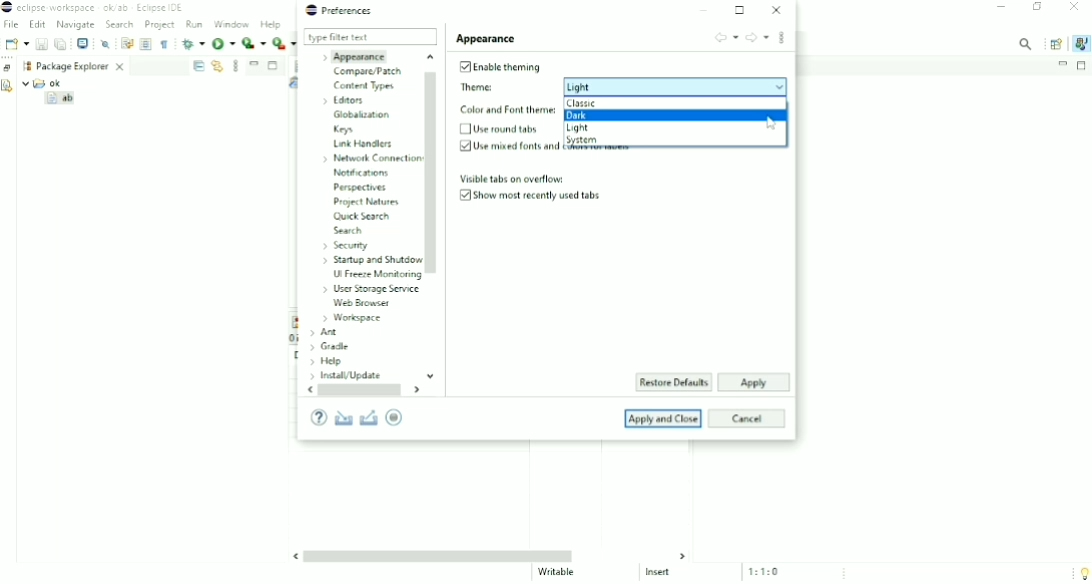 This screenshot has height=584, width=1092. What do you see at coordinates (82, 65) in the screenshot?
I see `Package Explorer` at bounding box center [82, 65].